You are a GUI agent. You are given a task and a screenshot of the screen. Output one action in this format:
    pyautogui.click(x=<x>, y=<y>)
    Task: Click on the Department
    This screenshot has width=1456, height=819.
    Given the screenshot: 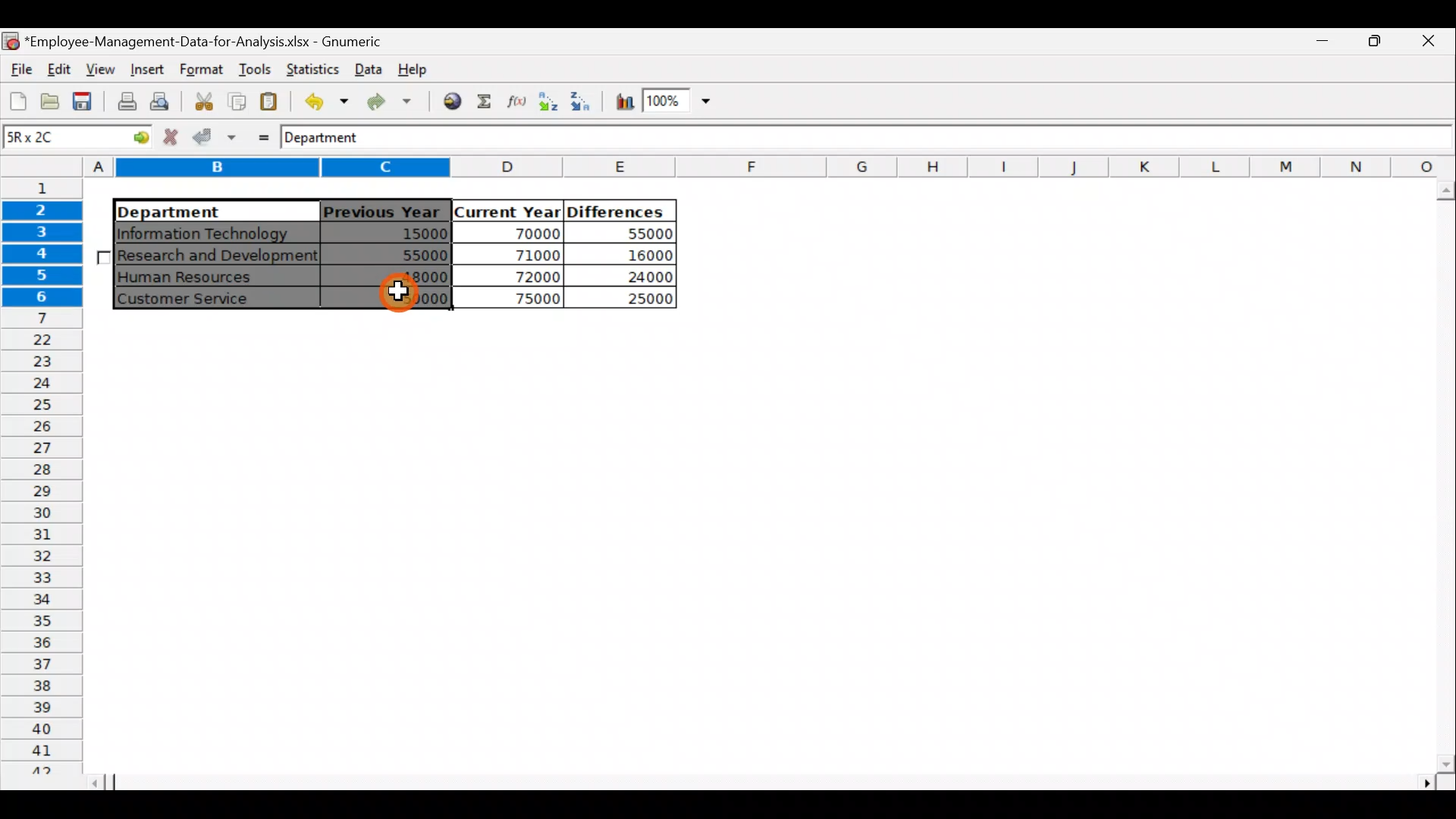 What is the action you would take?
    pyautogui.click(x=334, y=139)
    